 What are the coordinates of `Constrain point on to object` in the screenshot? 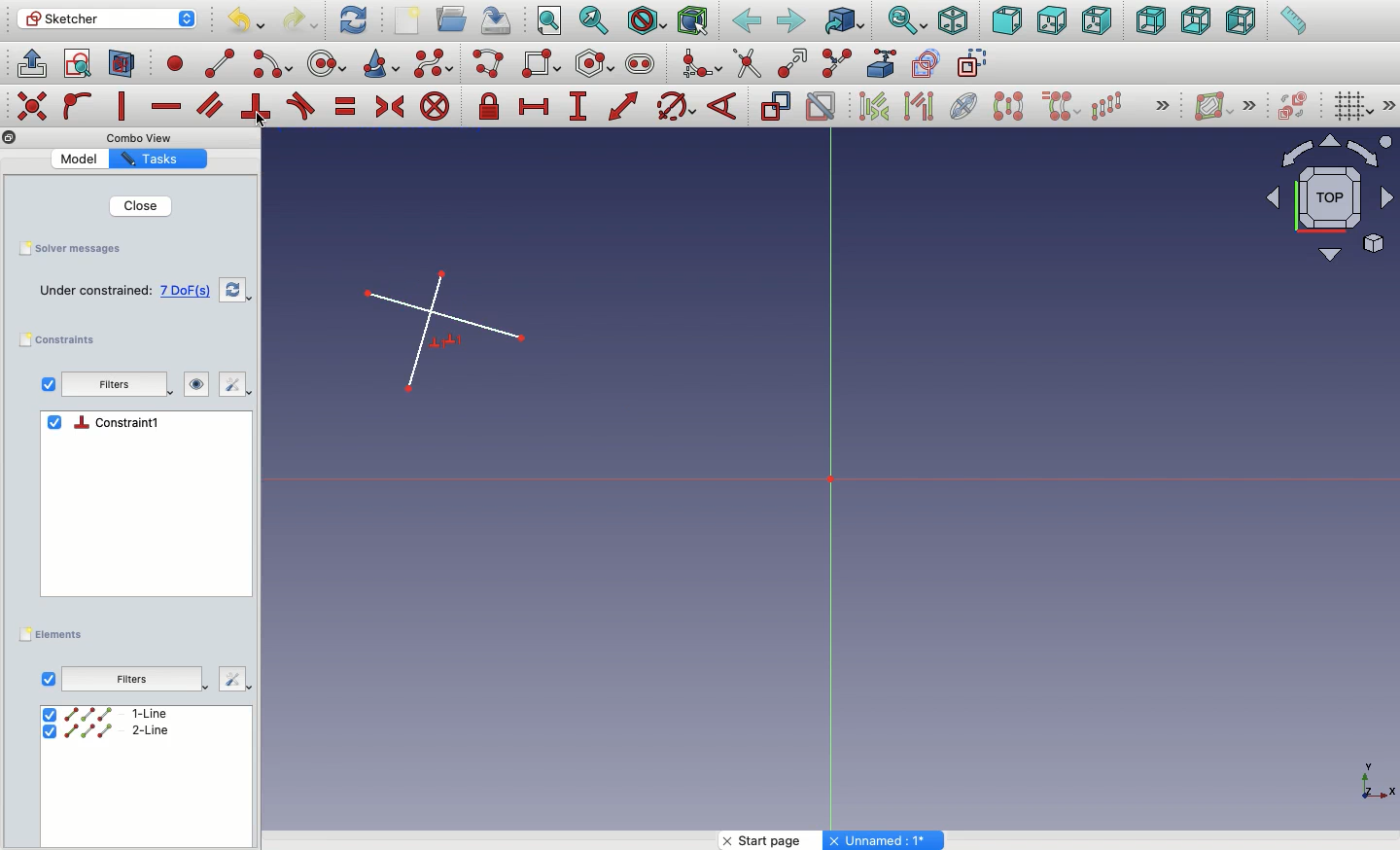 It's located at (78, 108).